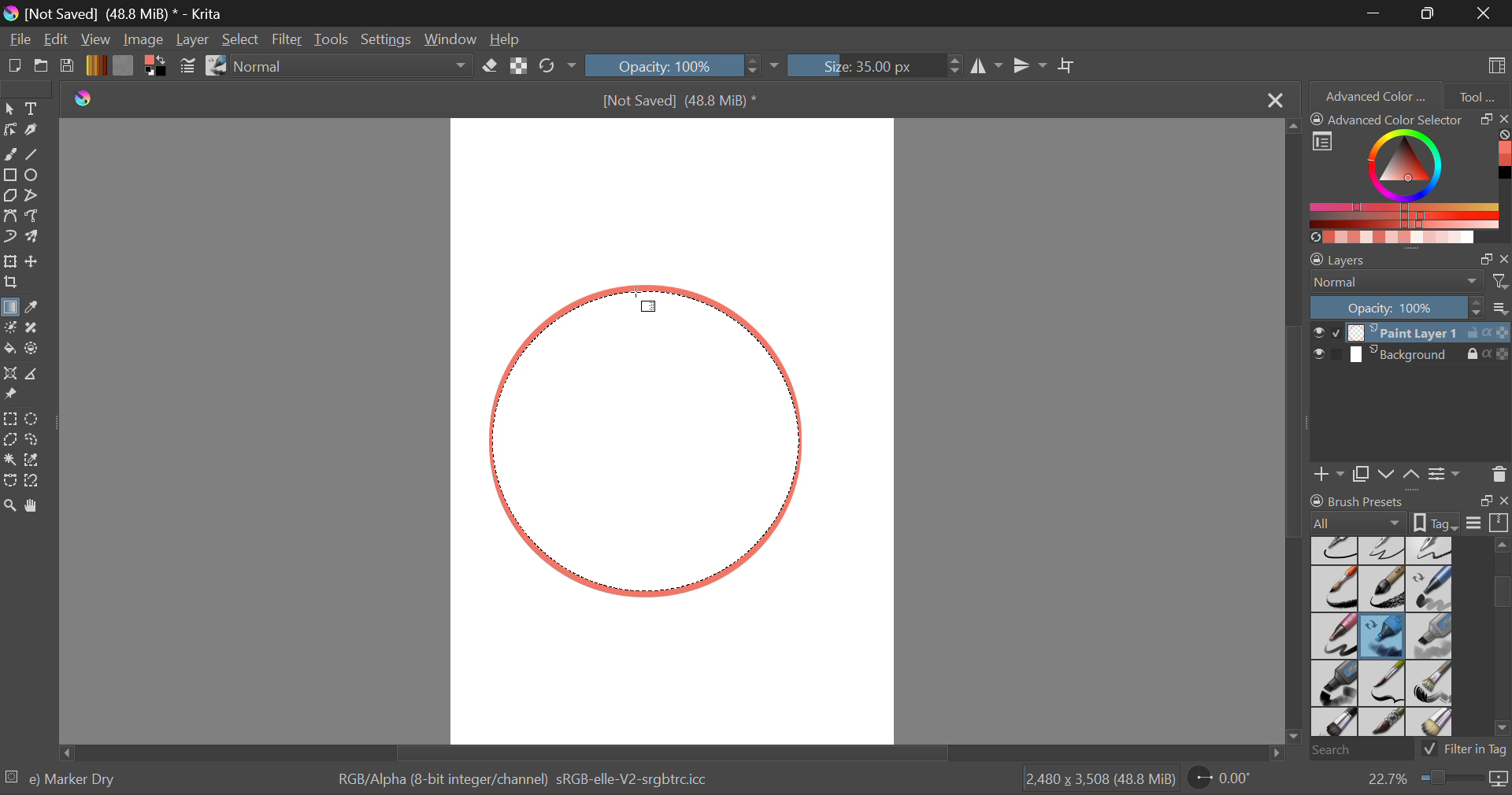 Image resolution: width=1512 pixels, height=795 pixels. What do you see at coordinates (1104, 779) in the screenshot?
I see `Page Dimensions` at bounding box center [1104, 779].